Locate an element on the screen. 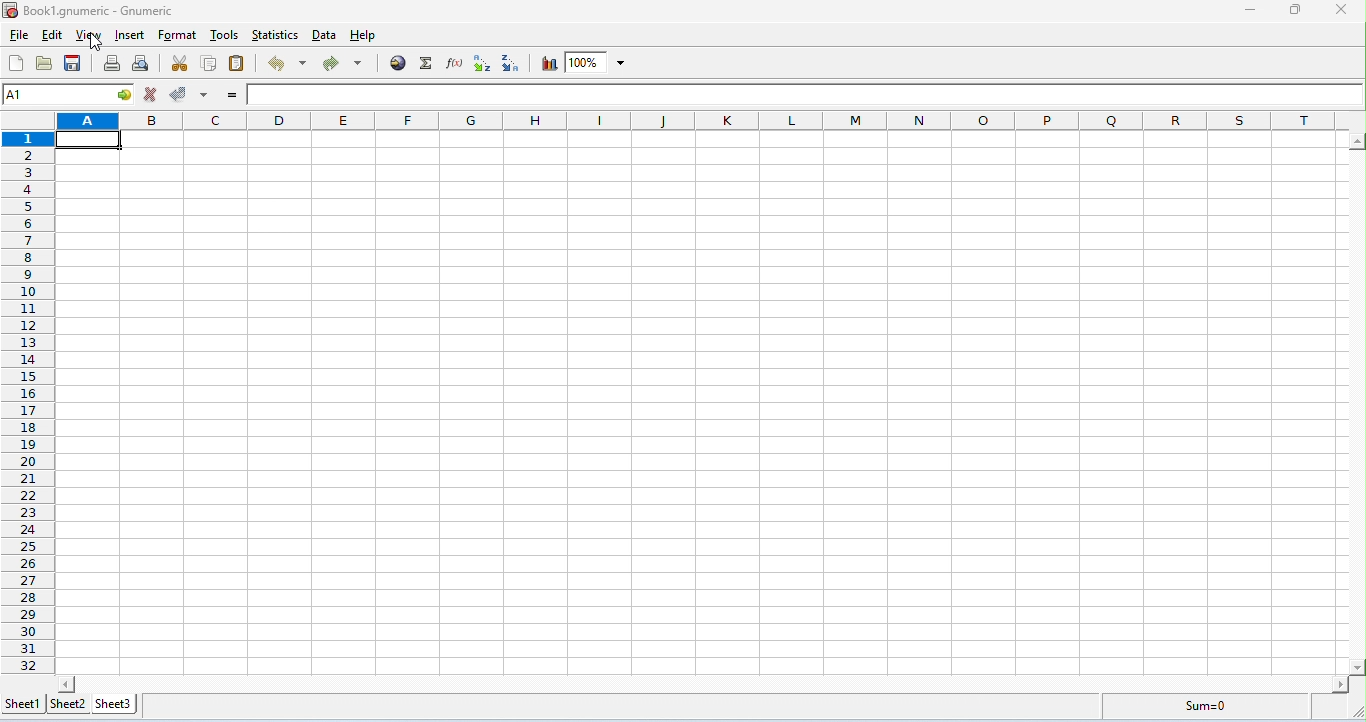  close is located at coordinates (1339, 9).